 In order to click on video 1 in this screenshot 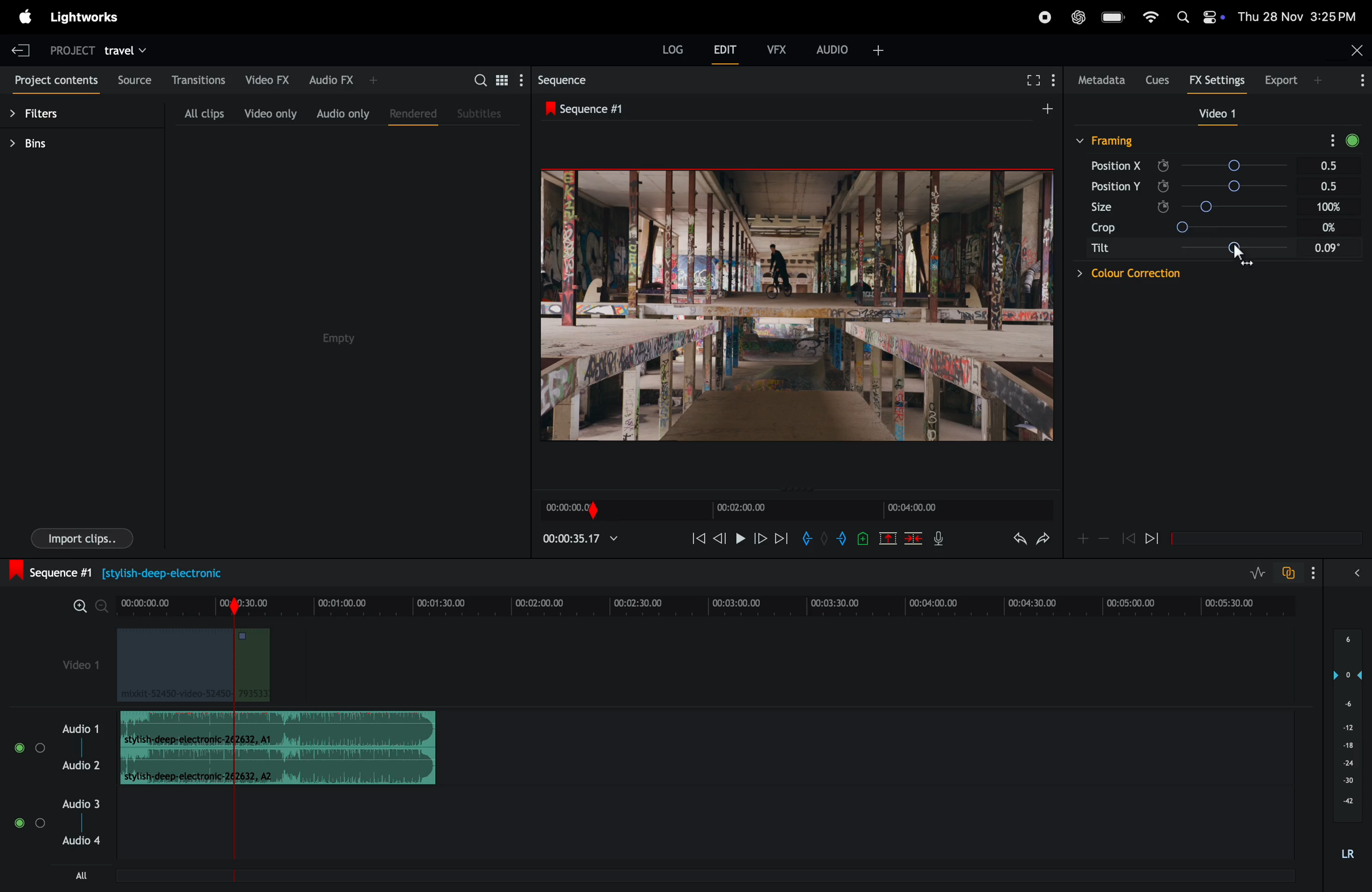, I will do `click(70, 662)`.